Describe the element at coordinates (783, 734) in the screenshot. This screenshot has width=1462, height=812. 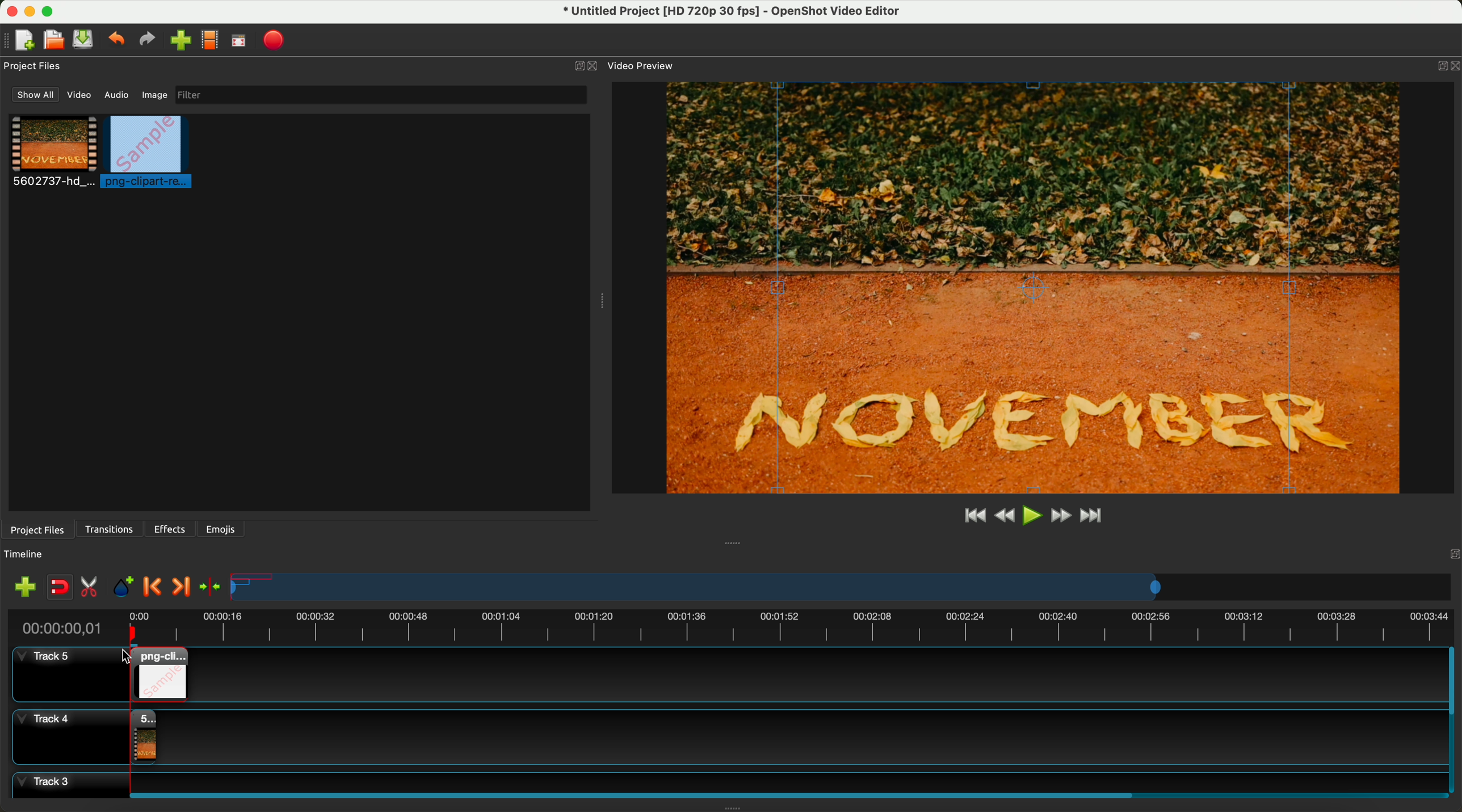
I see `` at that location.